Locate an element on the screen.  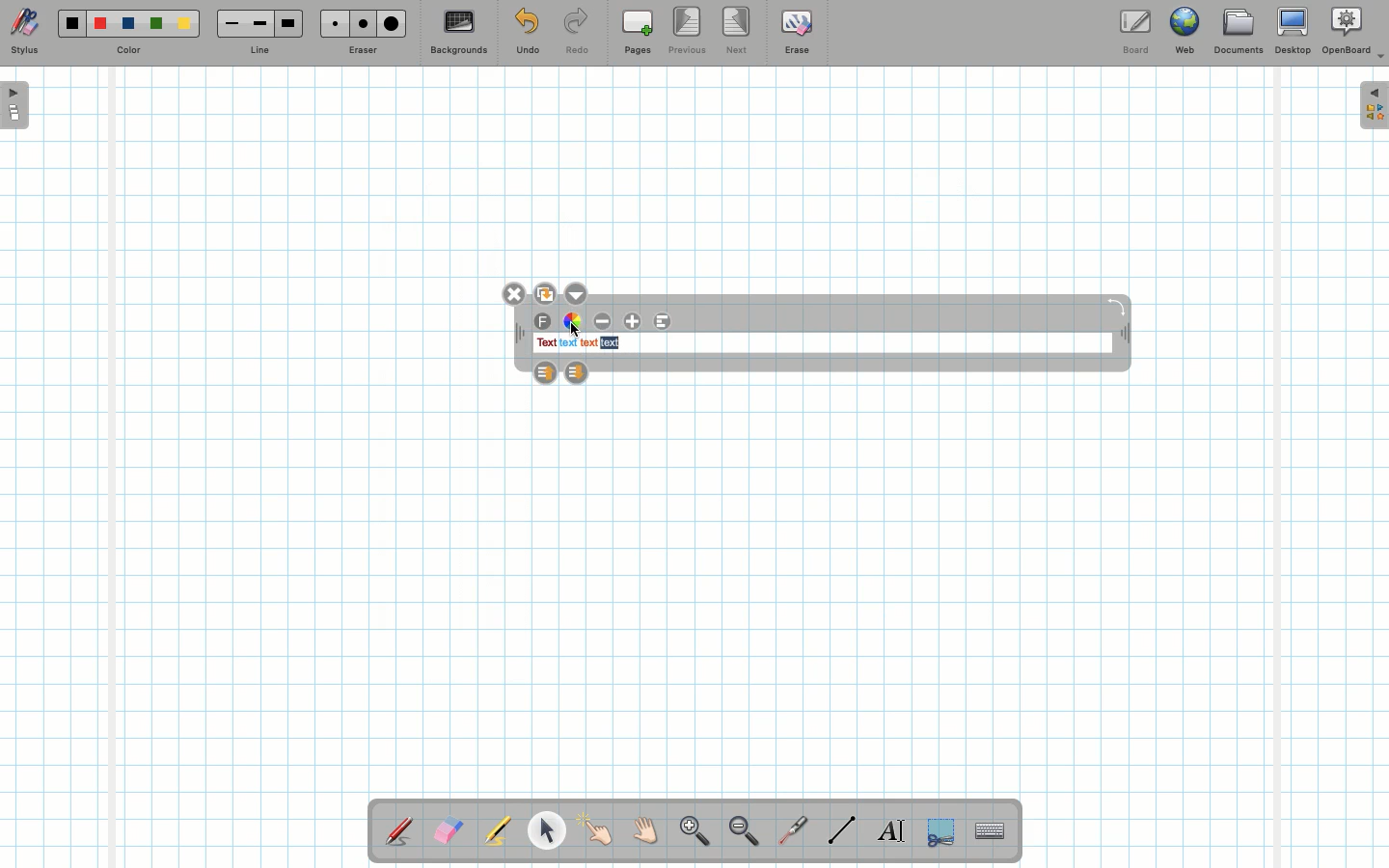
Color wheel is located at coordinates (572, 321).